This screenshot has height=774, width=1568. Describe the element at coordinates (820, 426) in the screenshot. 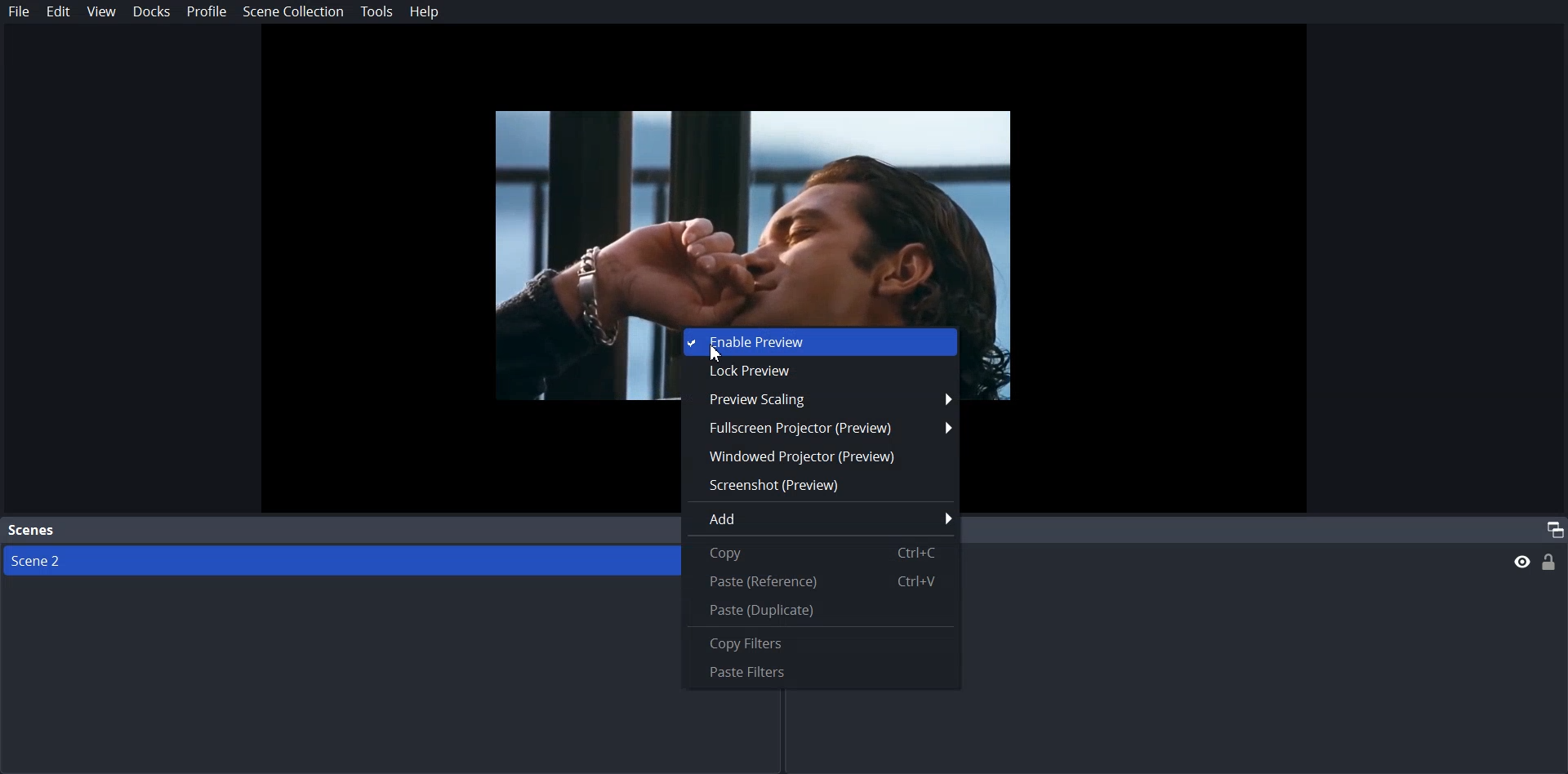

I see `Fullscreen Projector (Preview)` at that location.